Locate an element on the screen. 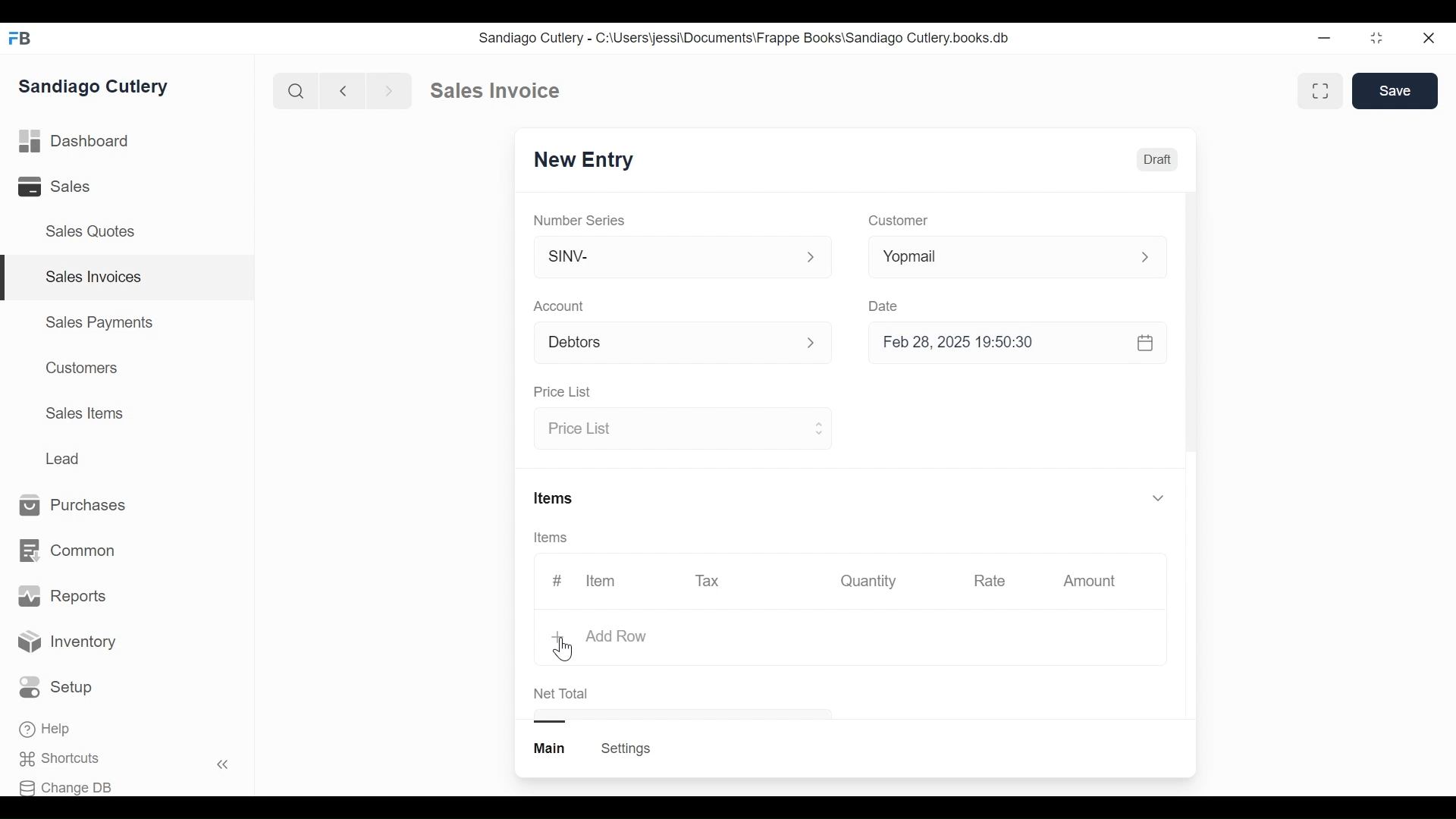 This screenshot has width=1456, height=819. Sales Invoice is located at coordinates (494, 91).